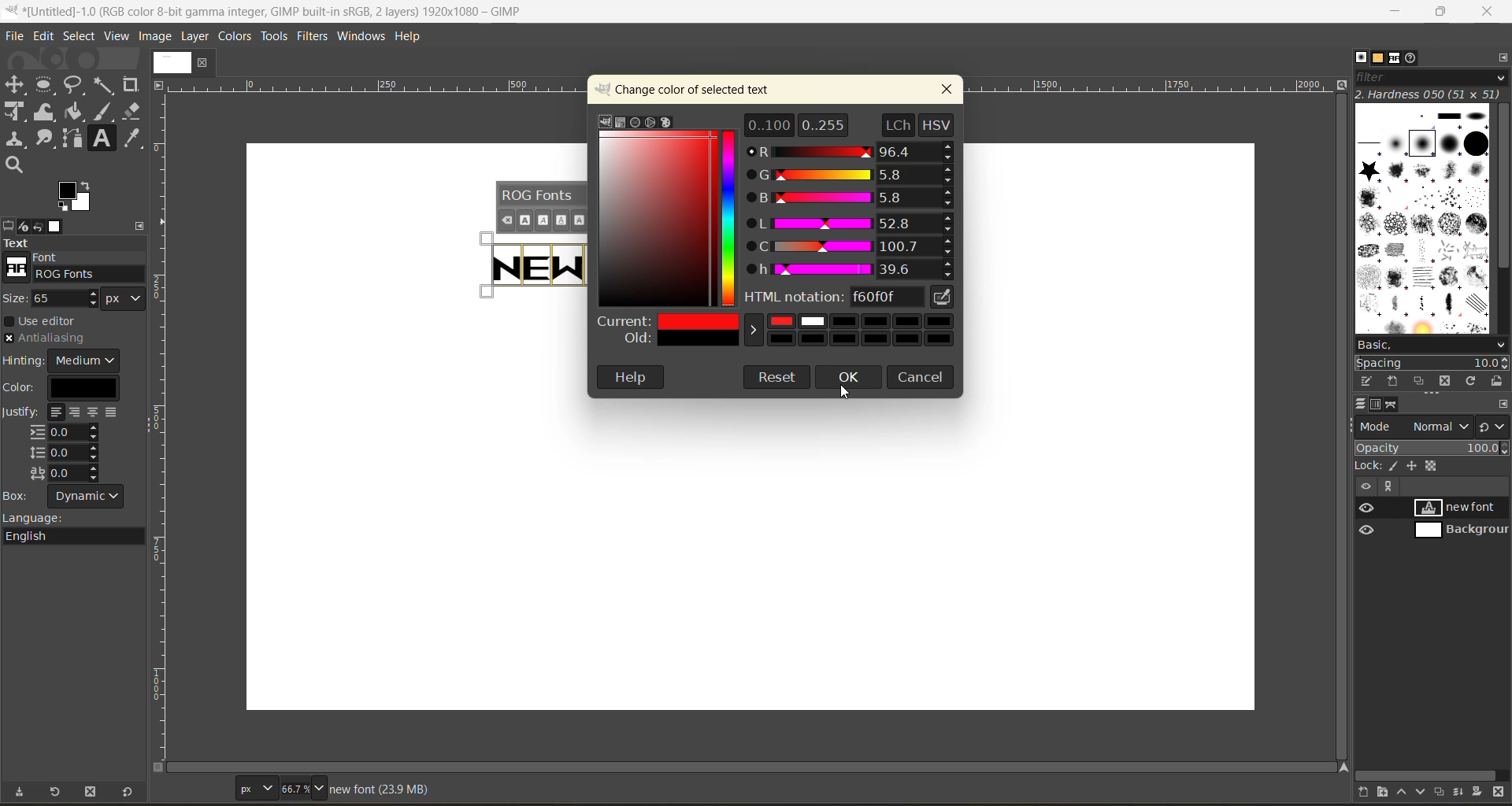  I want to click on configure, so click(1503, 405).